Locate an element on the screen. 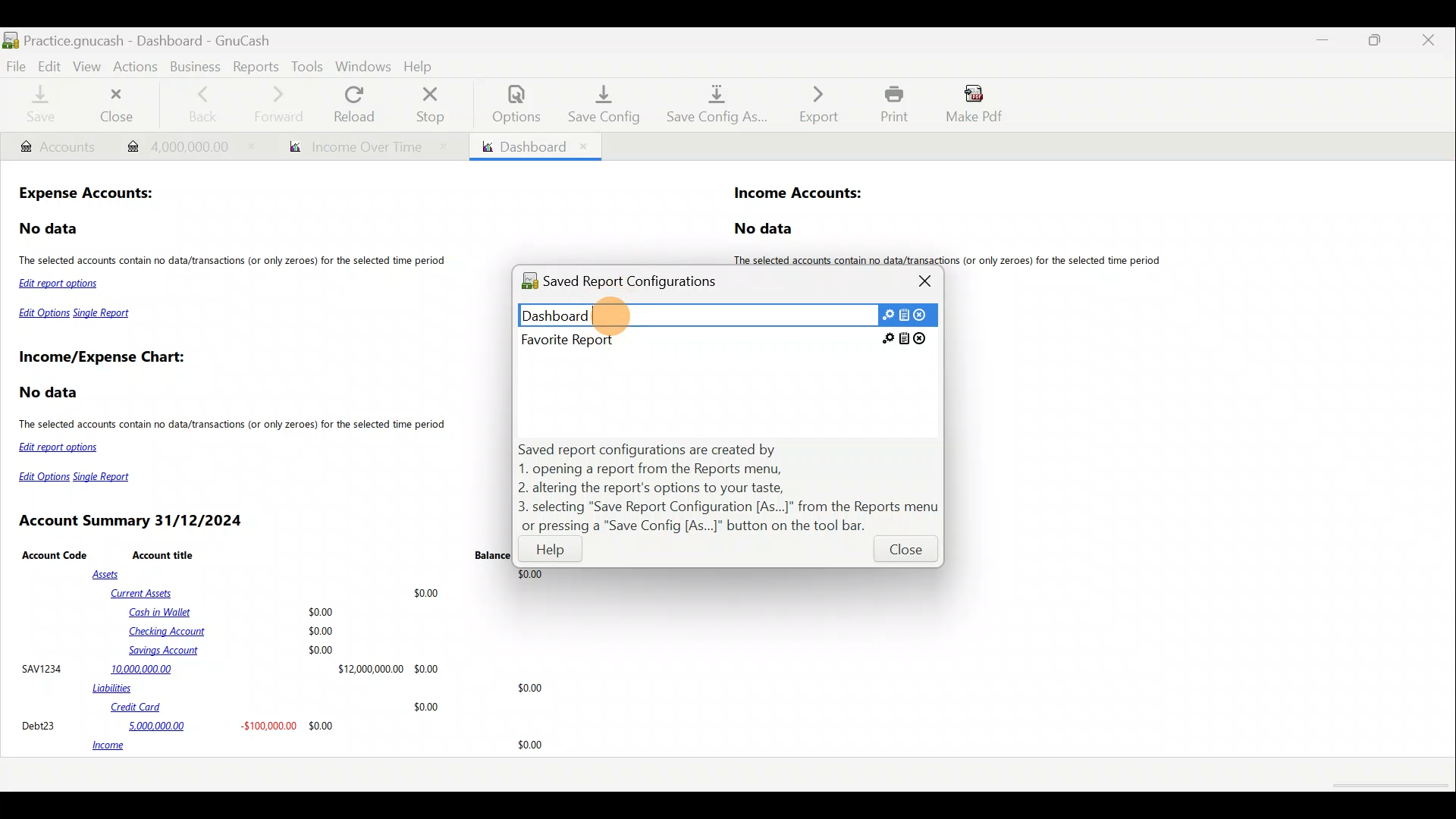 The width and height of the screenshot is (1456, 819). Expense Accounts: is located at coordinates (88, 195).